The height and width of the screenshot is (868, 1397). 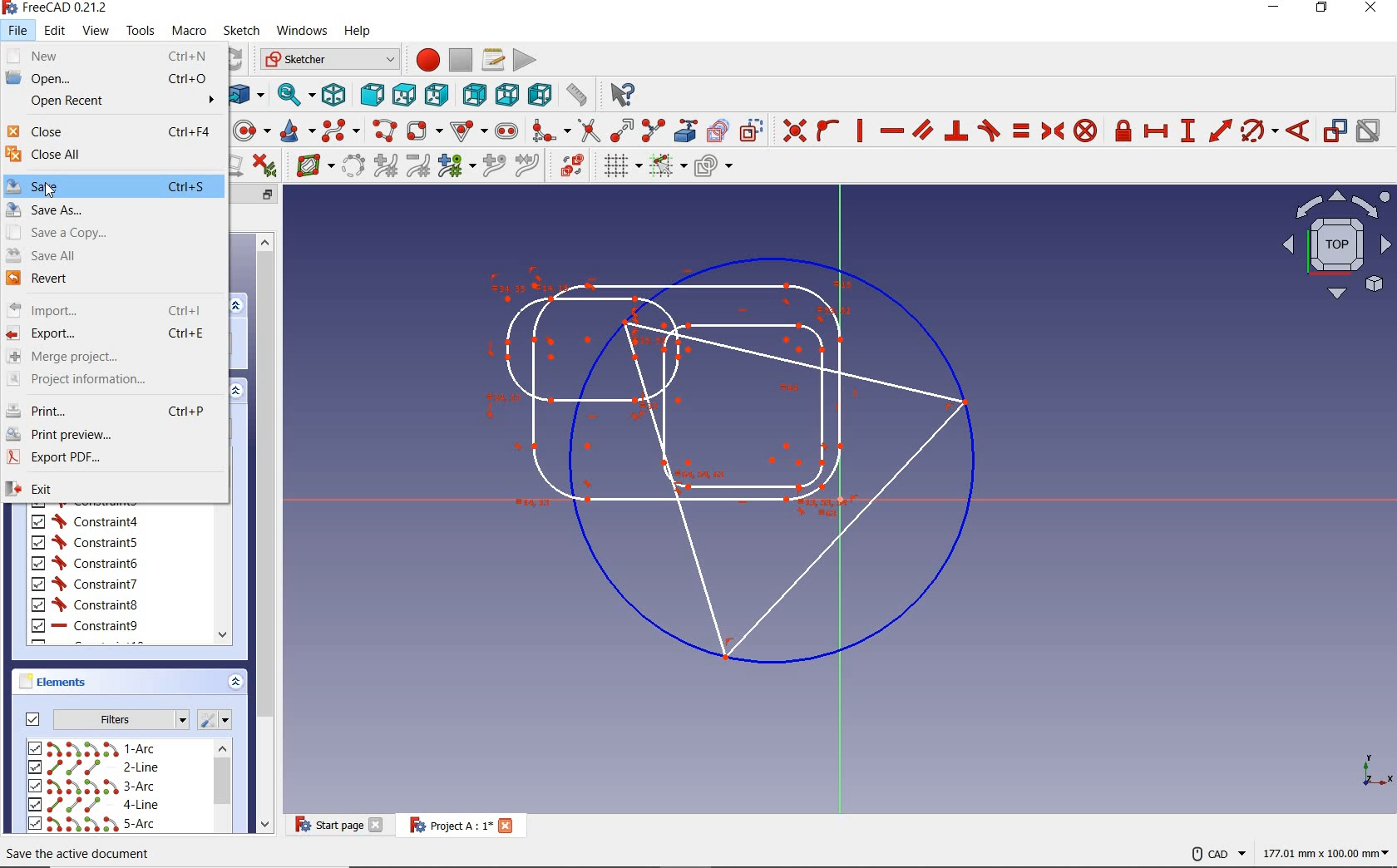 I want to click on trim edge, so click(x=586, y=130).